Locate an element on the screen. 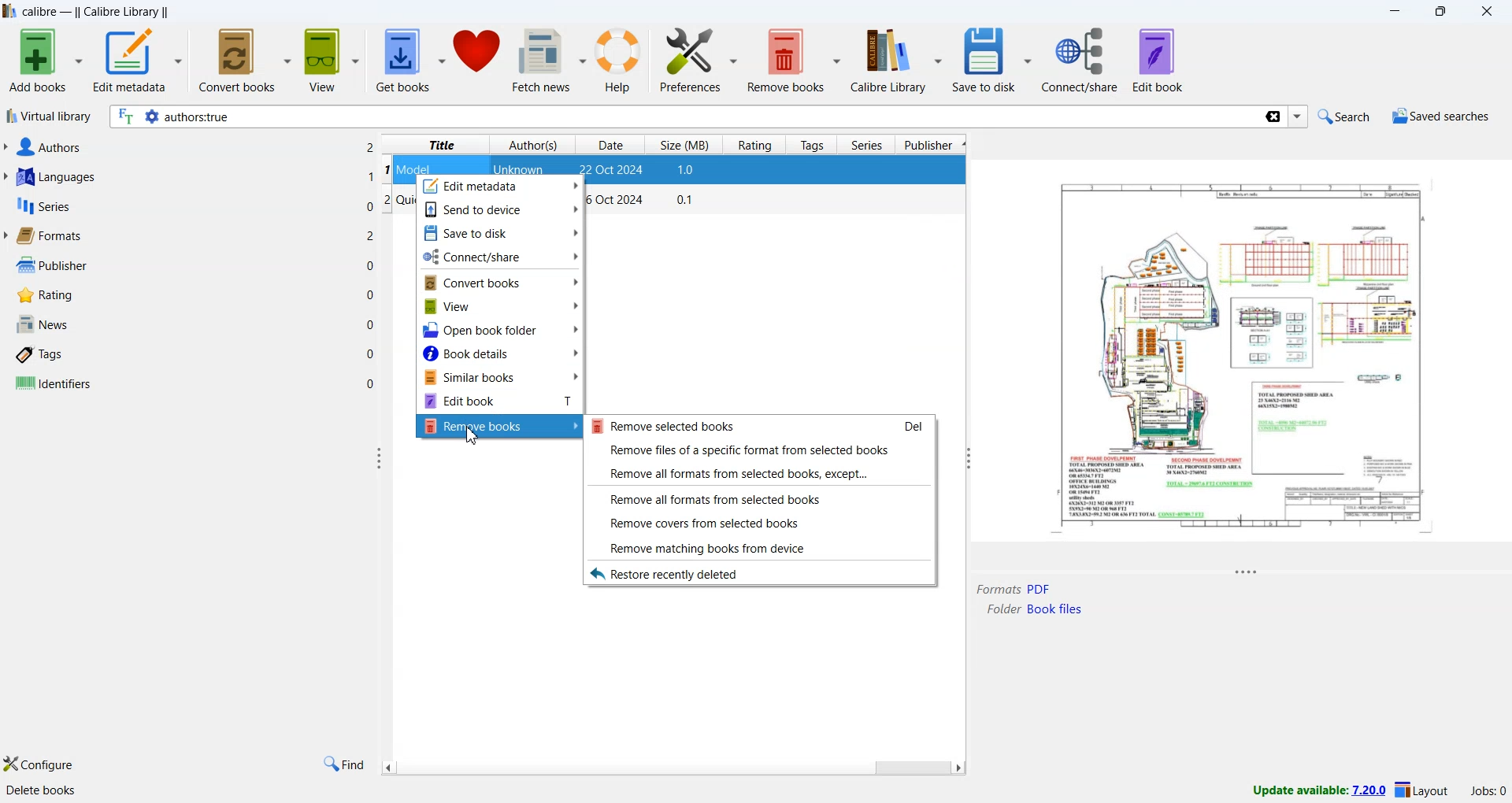  series is located at coordinates (867, 146).